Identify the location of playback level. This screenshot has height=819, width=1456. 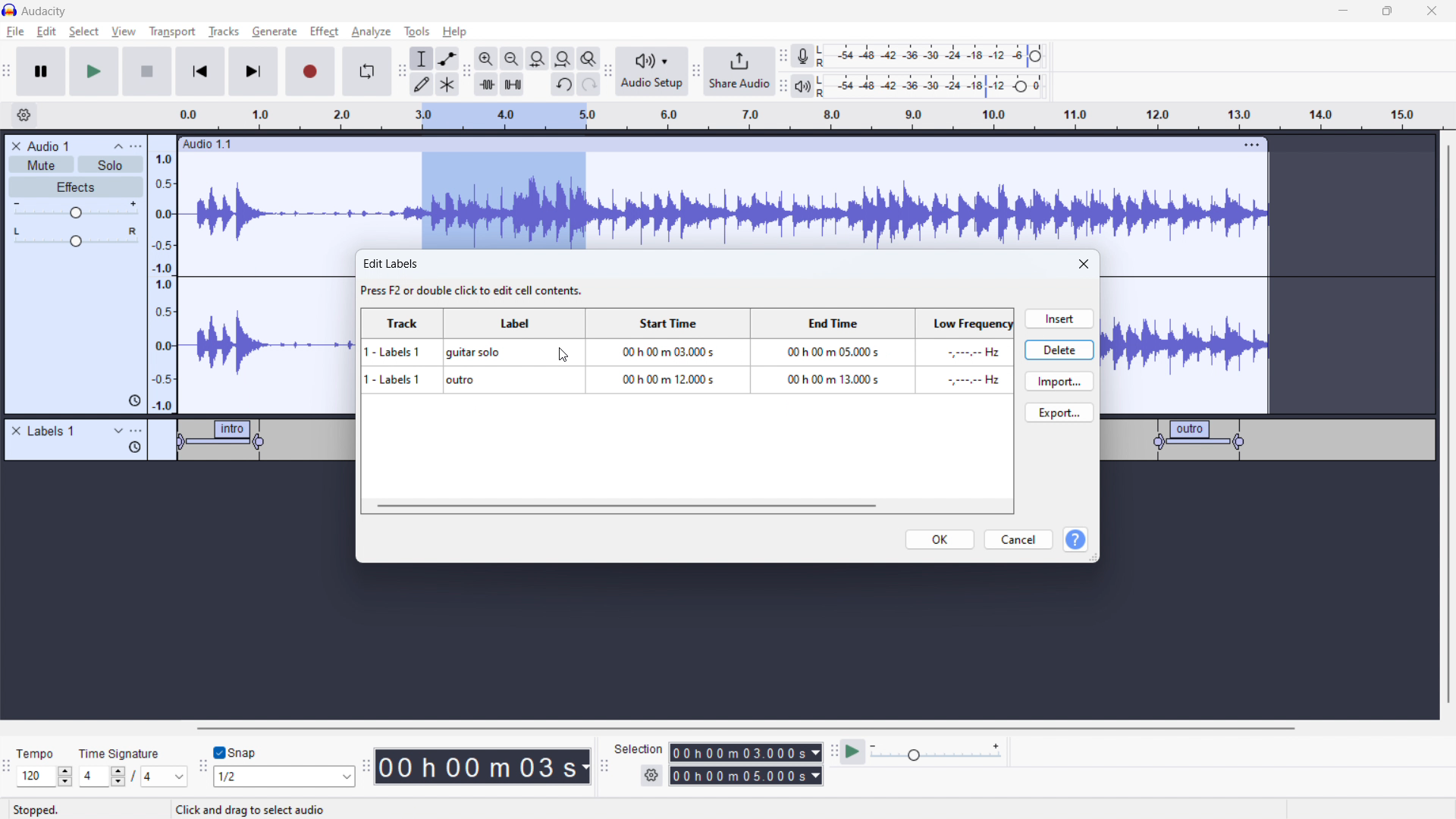
(942, 85).